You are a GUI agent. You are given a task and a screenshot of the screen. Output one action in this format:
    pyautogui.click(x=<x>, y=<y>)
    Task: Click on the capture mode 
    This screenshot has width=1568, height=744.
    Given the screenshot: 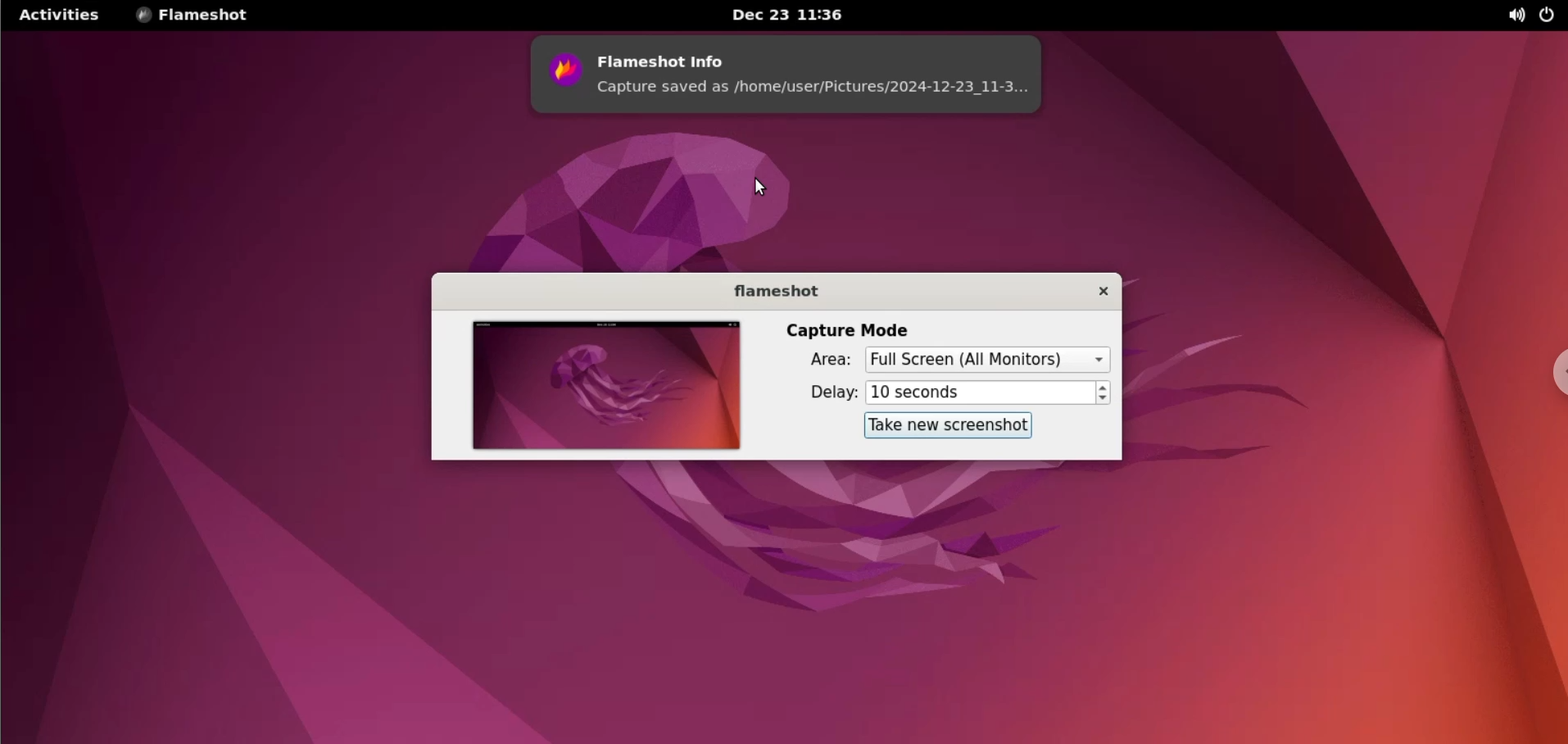 What is the action you would take?
    pyautogui.click(x=854, y=324)
    